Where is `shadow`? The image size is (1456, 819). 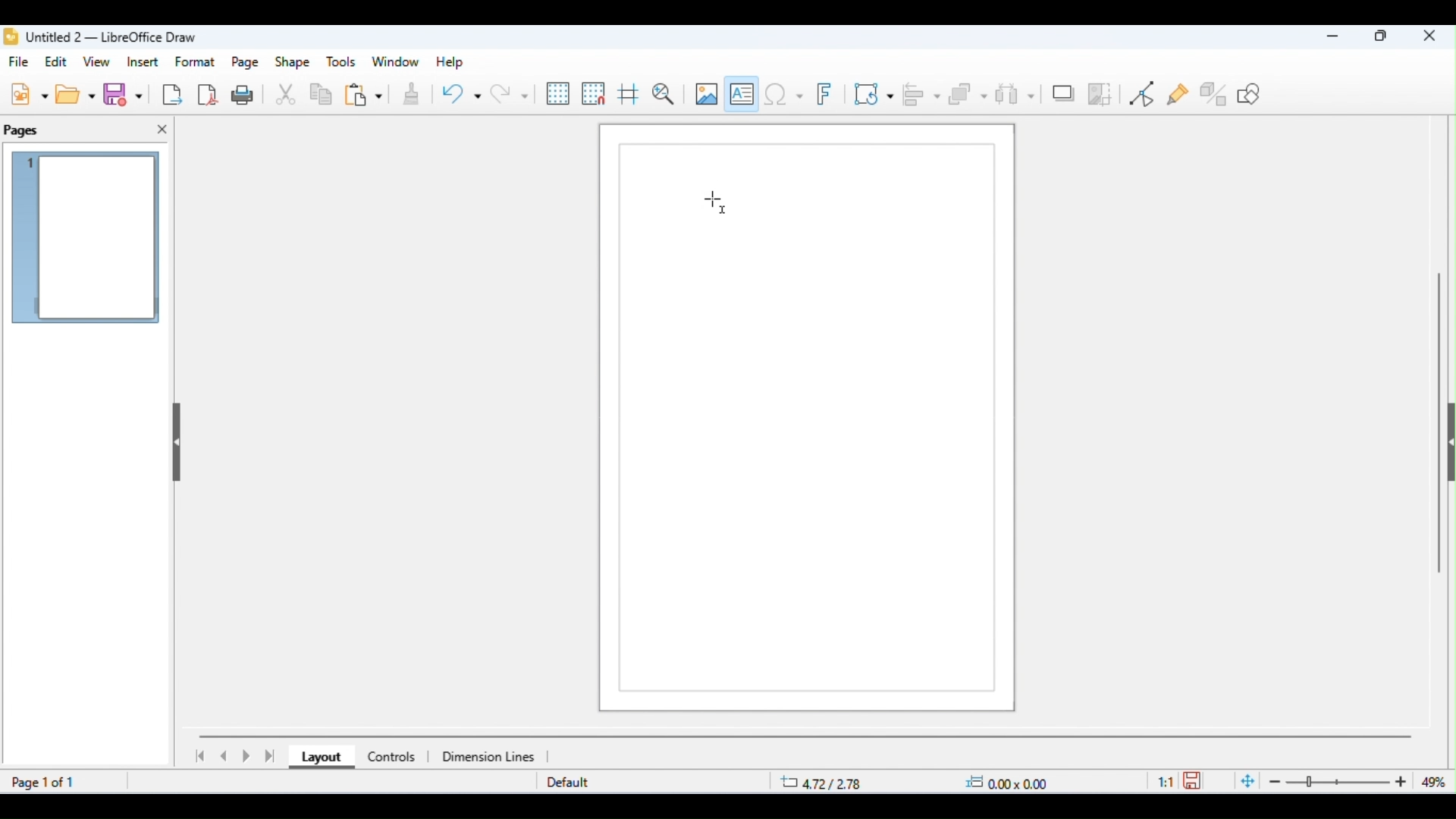 shadow is located at coordinates (1063, 92).